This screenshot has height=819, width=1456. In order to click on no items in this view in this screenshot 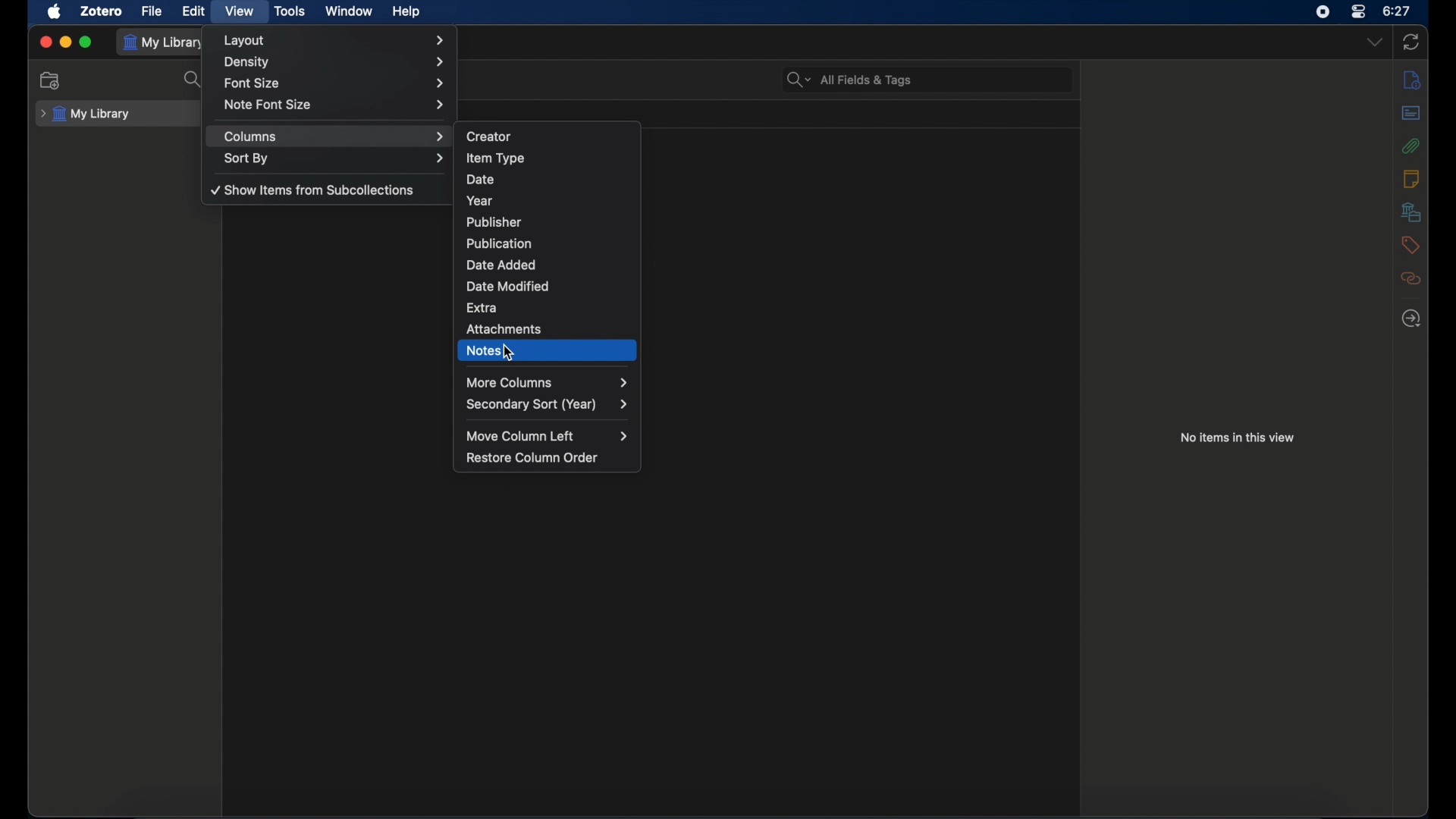, I will do `click(1241, 437)`.